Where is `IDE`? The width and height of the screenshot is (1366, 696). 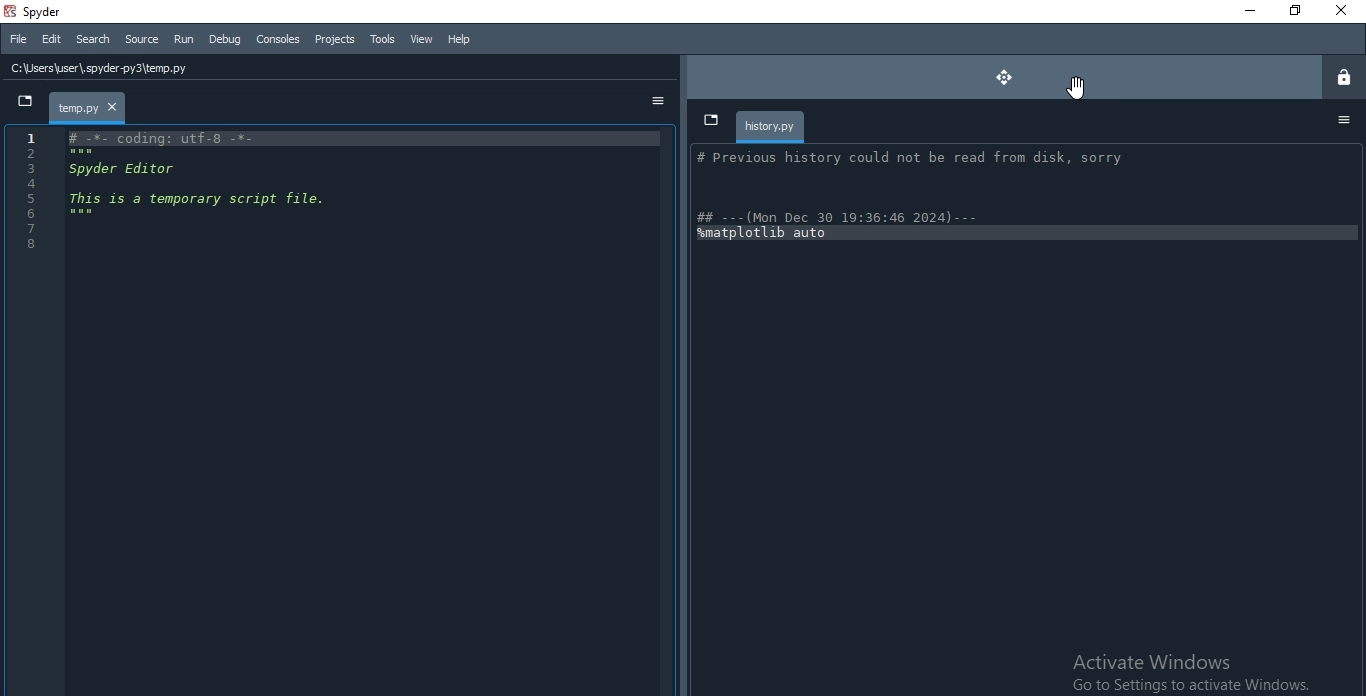 IDE is located at coordinates (345, 411).